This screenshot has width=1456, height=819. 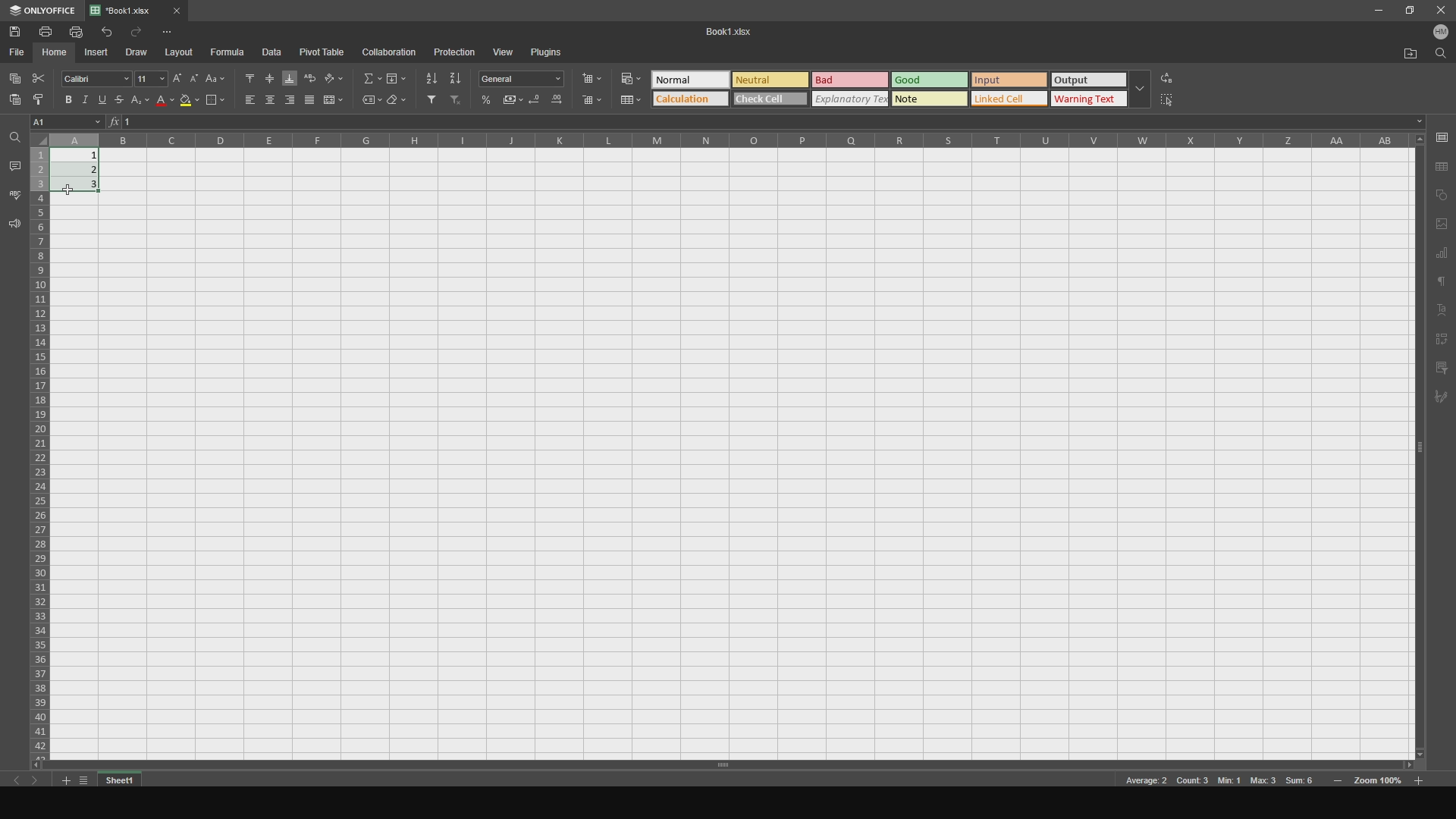 I want to click on maxiize, so click(x=1407, y=12).